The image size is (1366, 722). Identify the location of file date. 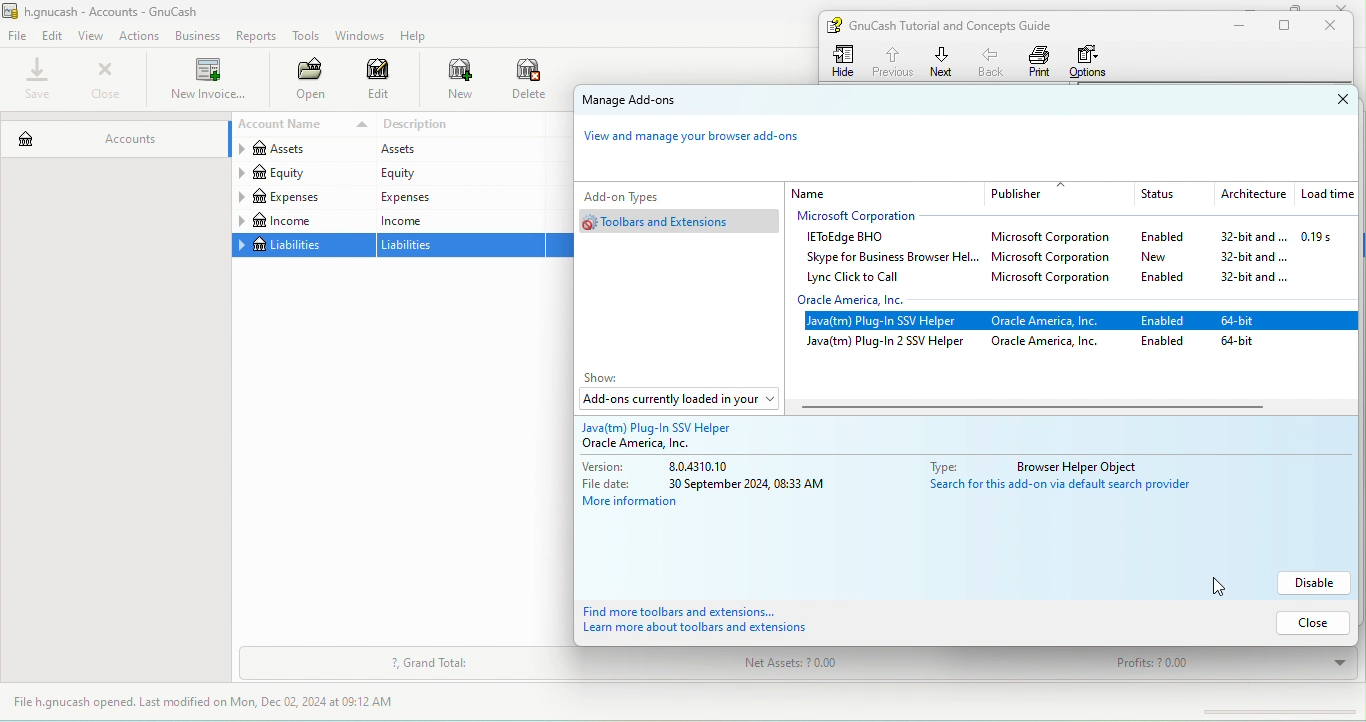
(709, 484).